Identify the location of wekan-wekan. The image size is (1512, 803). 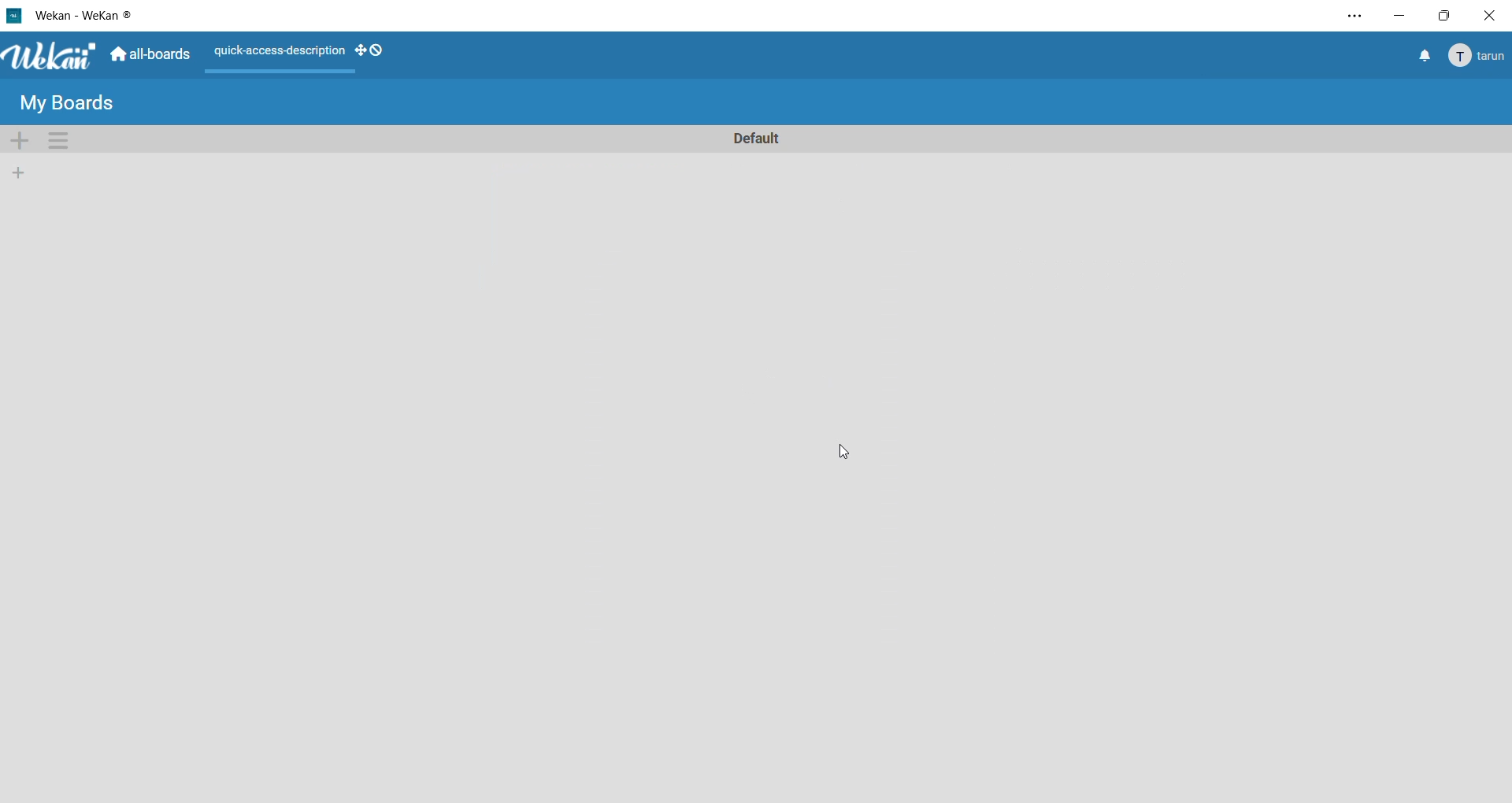
(89, 13).